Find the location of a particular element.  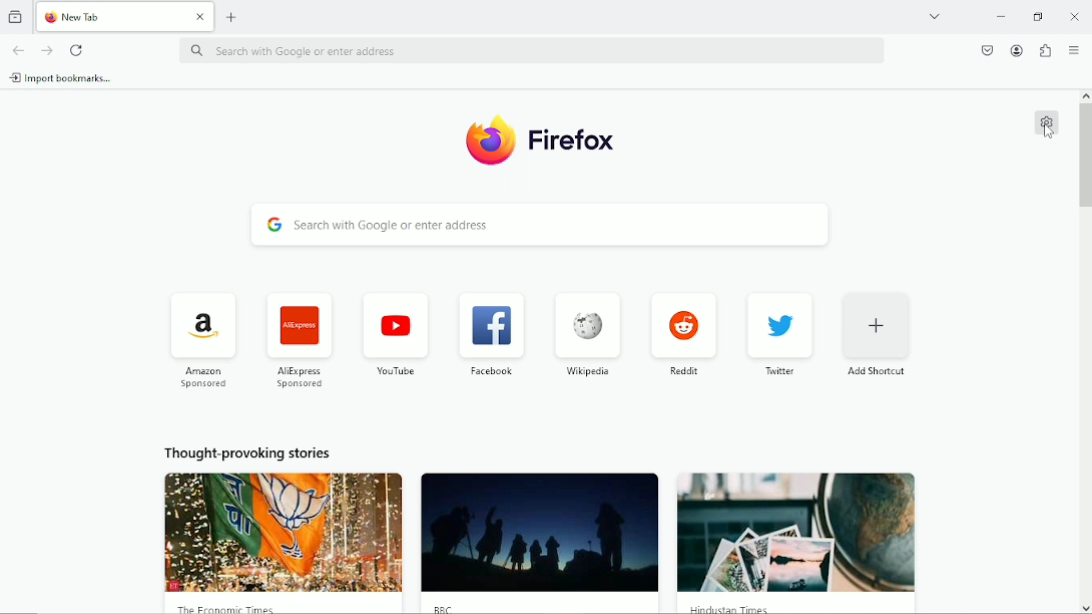

Go forward is located at coordinates (46, 50).